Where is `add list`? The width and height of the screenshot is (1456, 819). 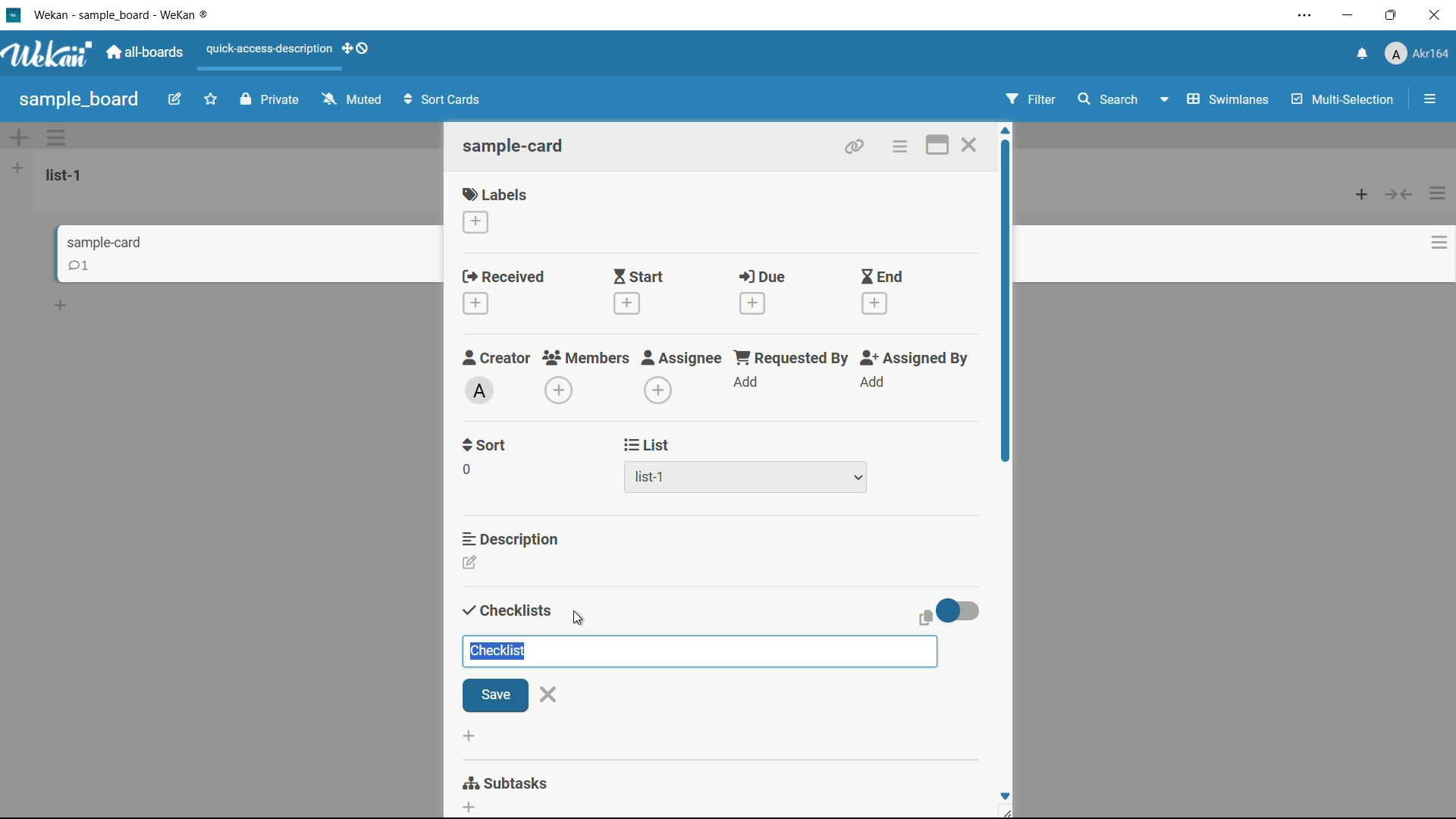
add list is located at coordinates (18, 170).